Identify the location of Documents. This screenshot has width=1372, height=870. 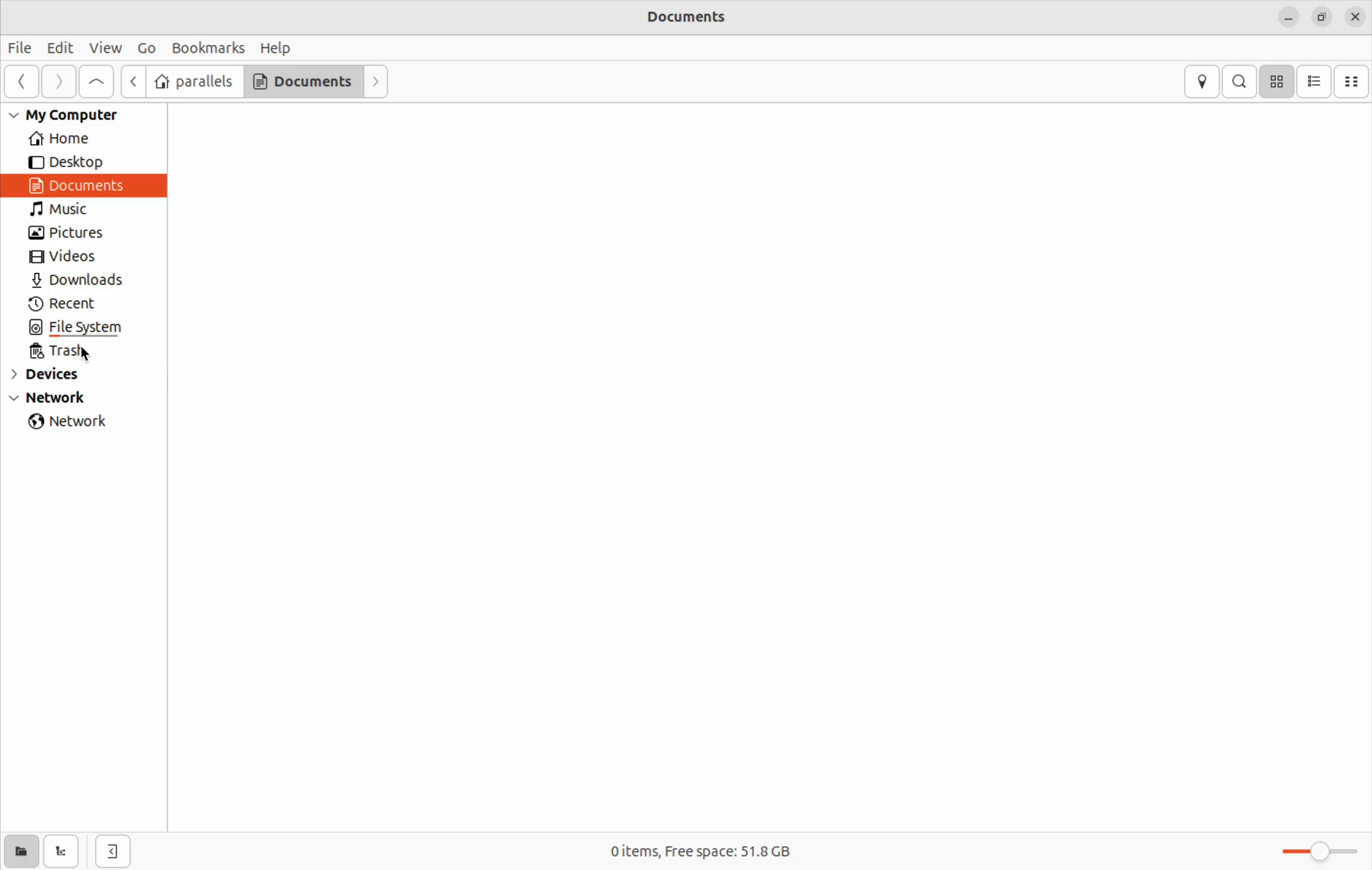
(79, 184).